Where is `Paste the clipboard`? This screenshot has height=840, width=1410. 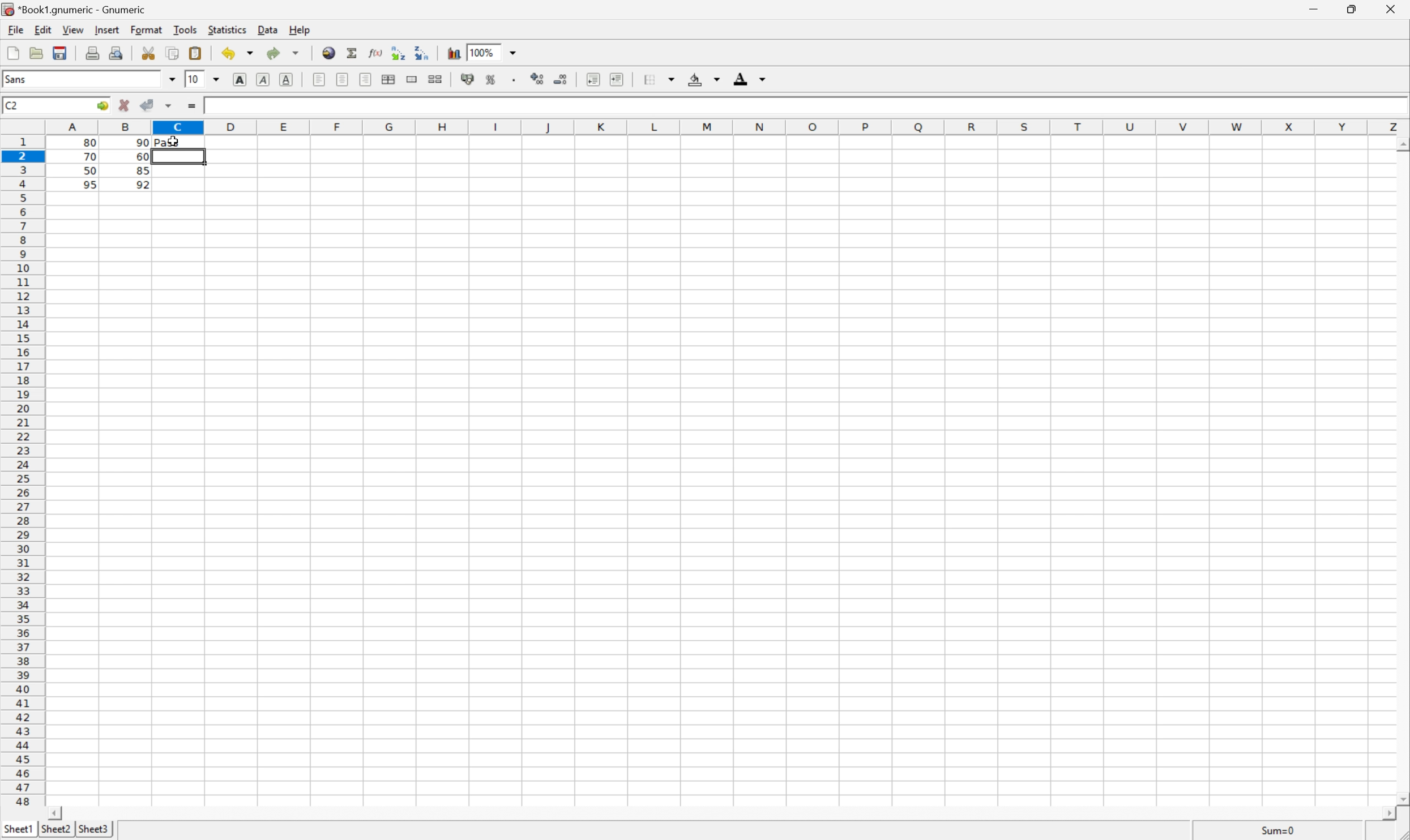 Paste the clipboard is located at coordinates (196, 54).